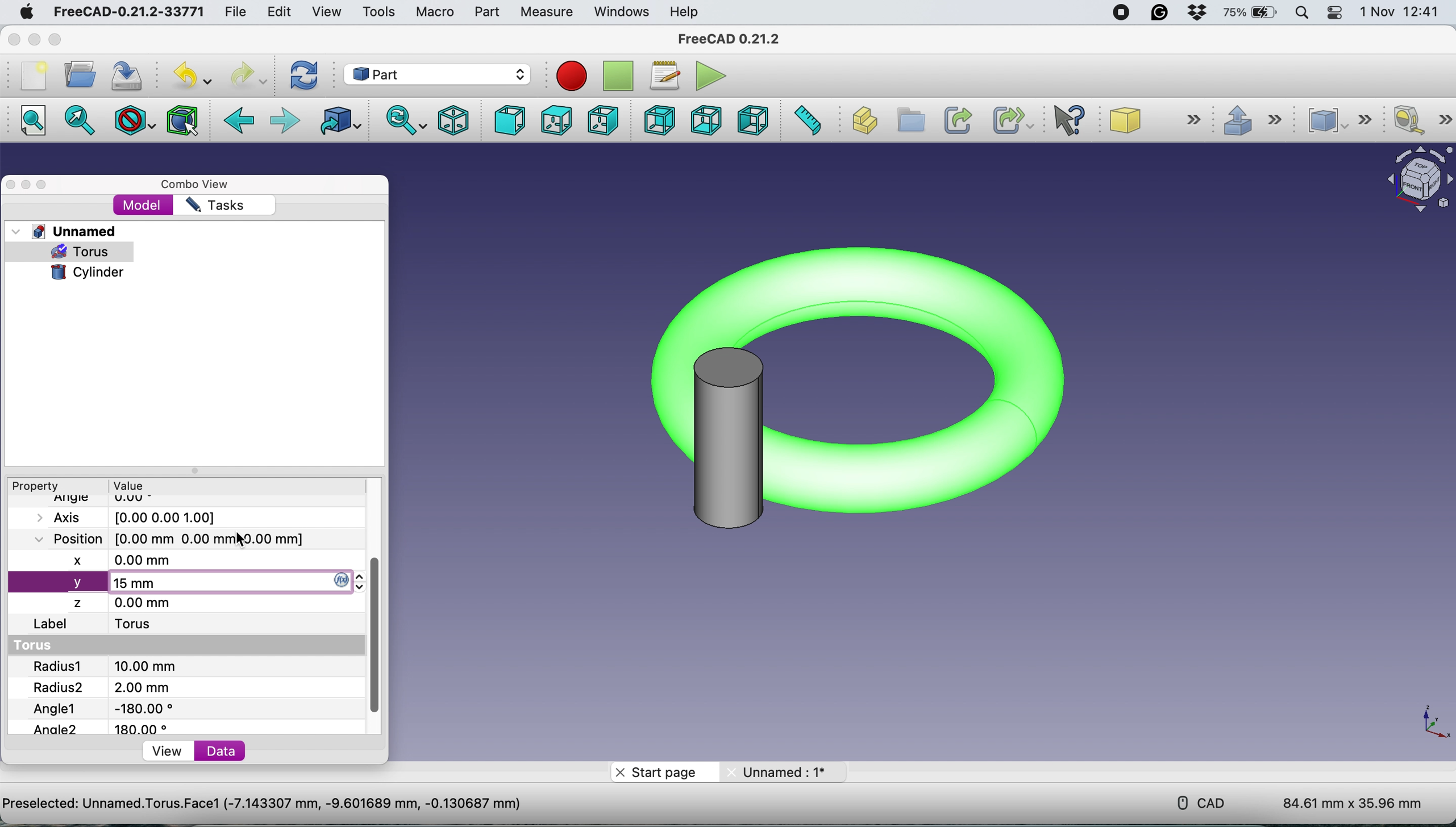 The image size is (1456, 827). What do you see at coordinates (343, 124) in the screenshot?
I see `go to linked object` at bounding box center [343, 124].